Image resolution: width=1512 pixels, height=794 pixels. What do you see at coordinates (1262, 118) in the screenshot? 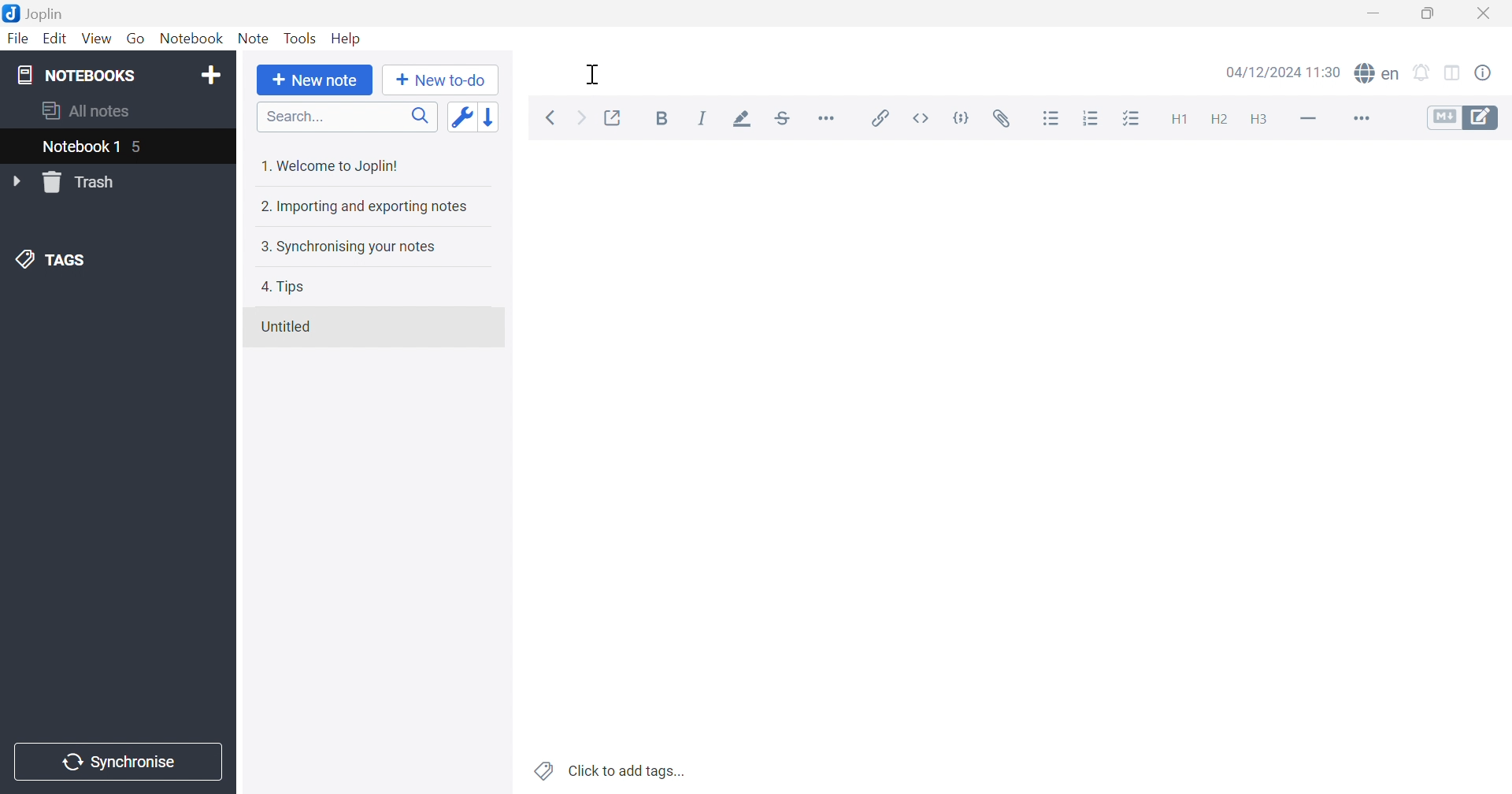
I see `Heading 3` at bounding box center [1262, 118].